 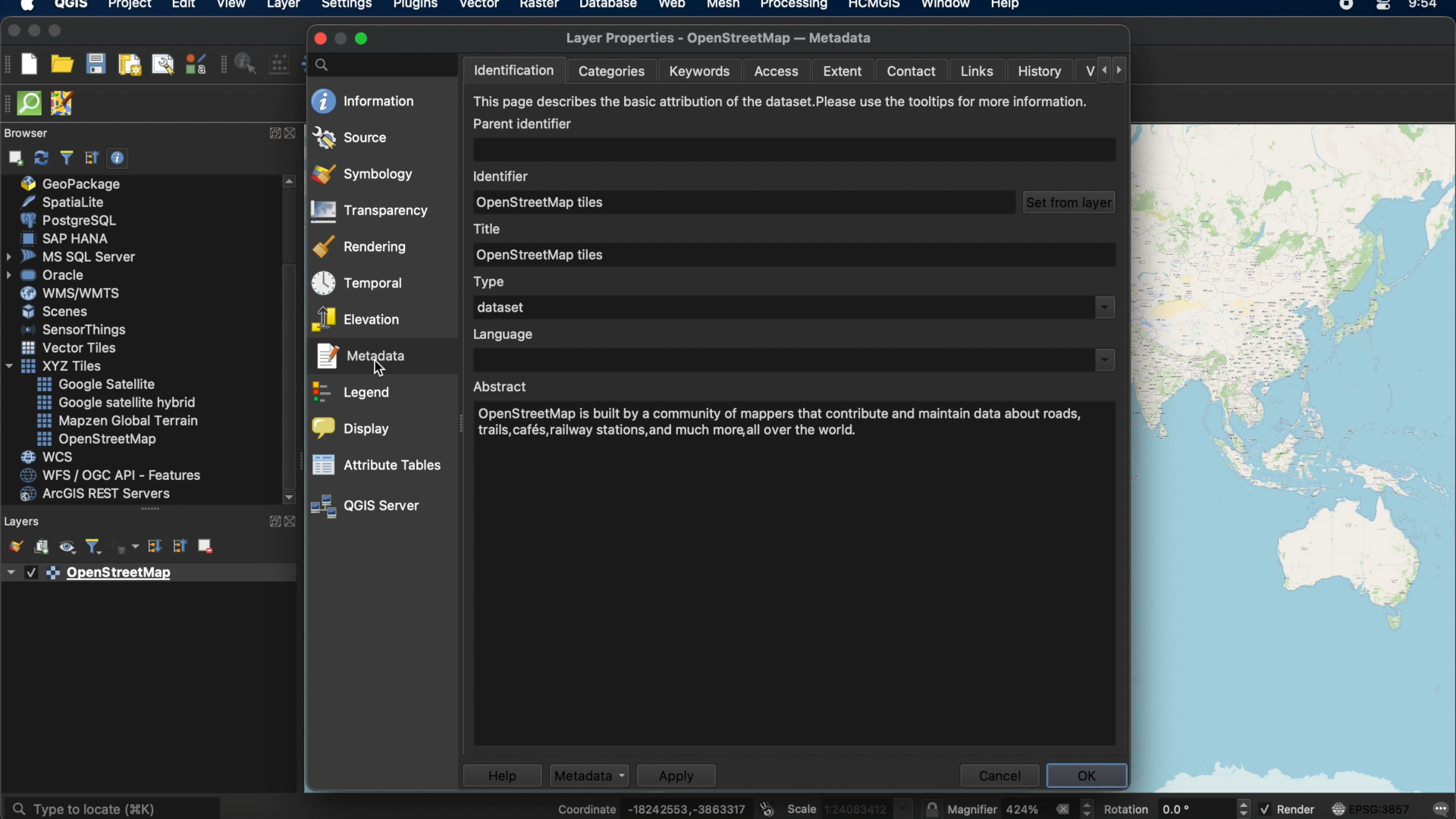 What do you see at coordinates (874, 6) in the screenshot?
I see `HCMGIS` at bounding box center [874, 6].